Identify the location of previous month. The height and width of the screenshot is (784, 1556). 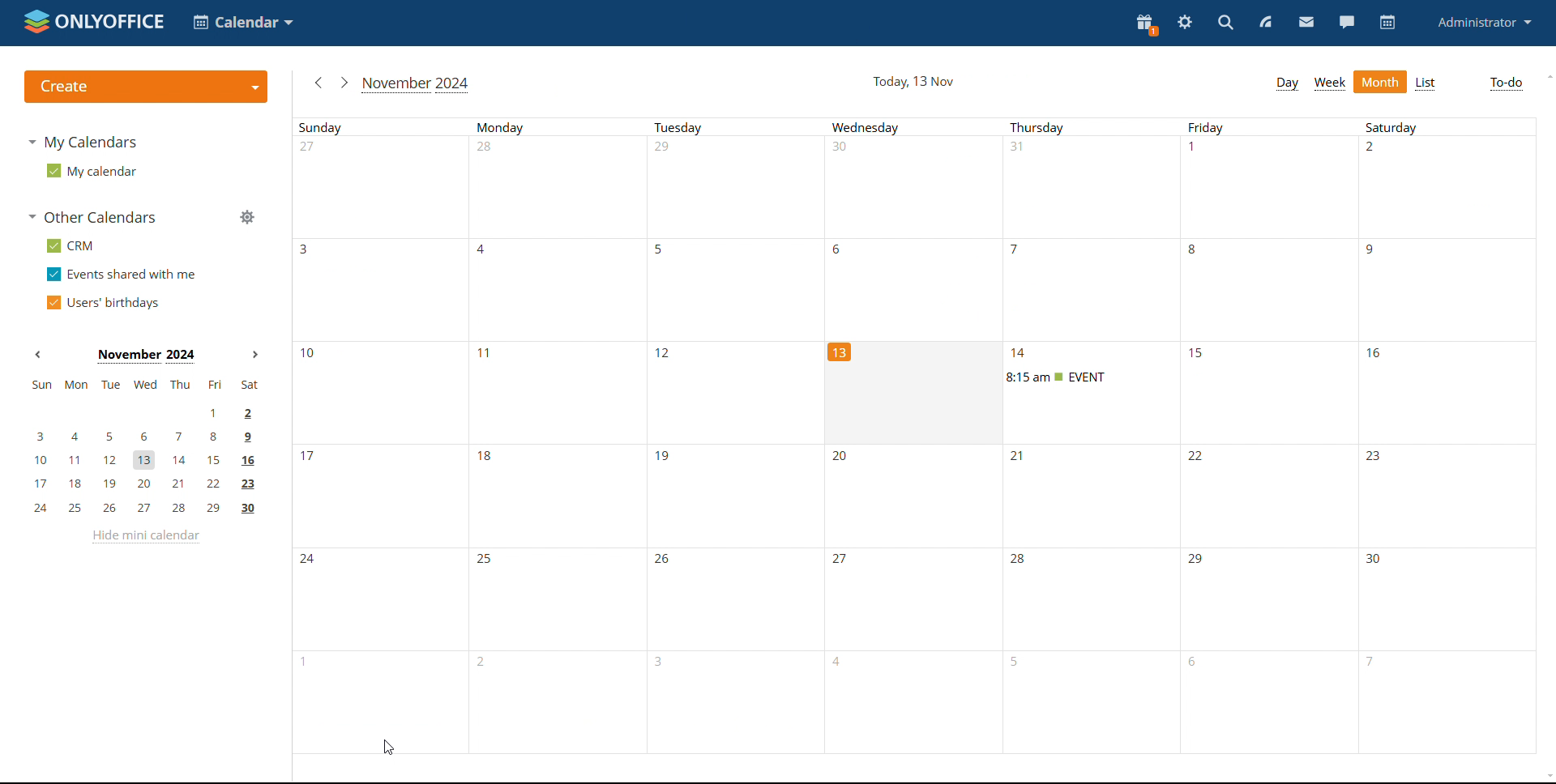
(316, 83).